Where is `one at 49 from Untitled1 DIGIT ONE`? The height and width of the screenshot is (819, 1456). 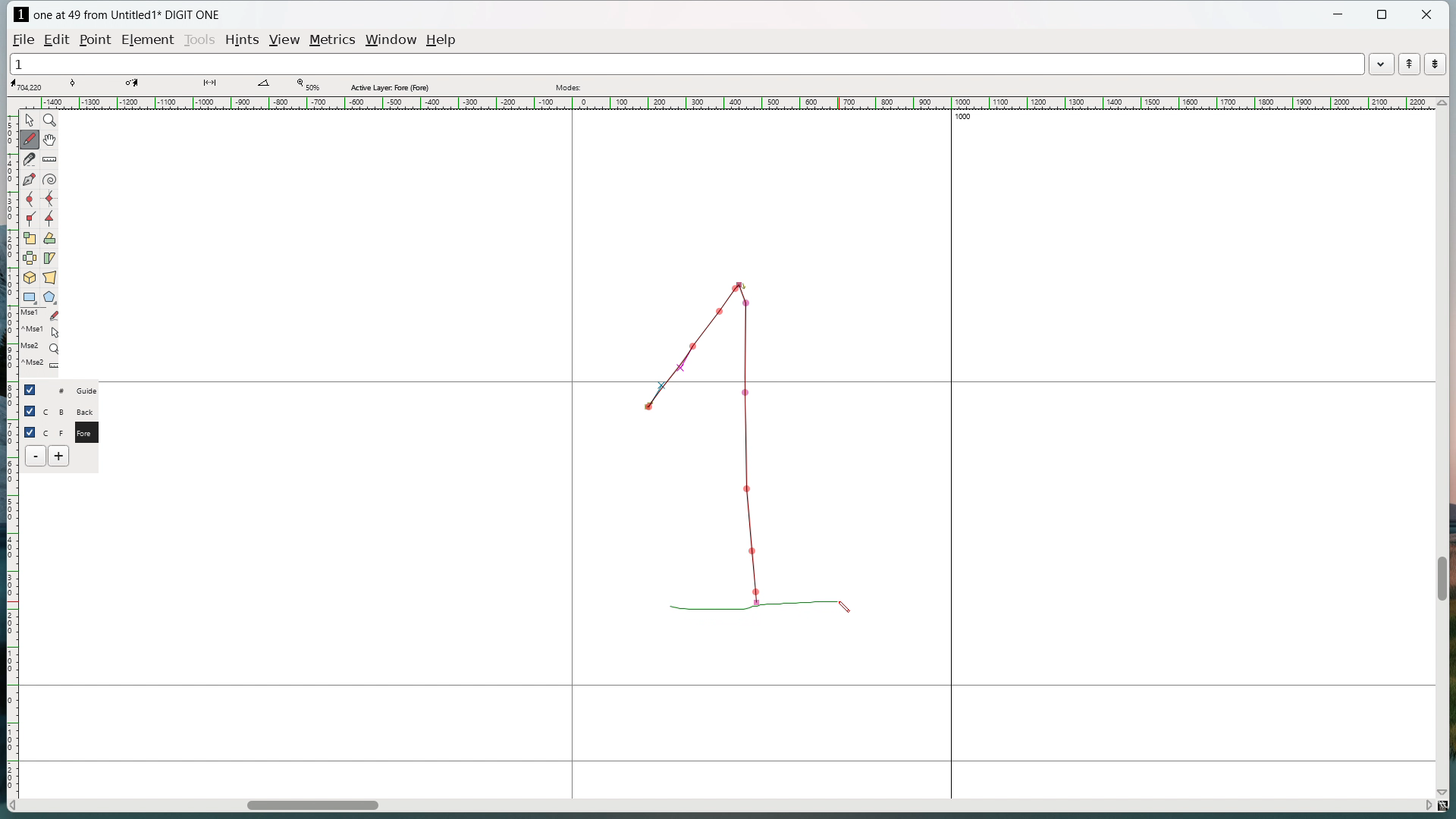 one at 49 from Untitled1 DIGIT ONE is located at coordinates (126, 15).